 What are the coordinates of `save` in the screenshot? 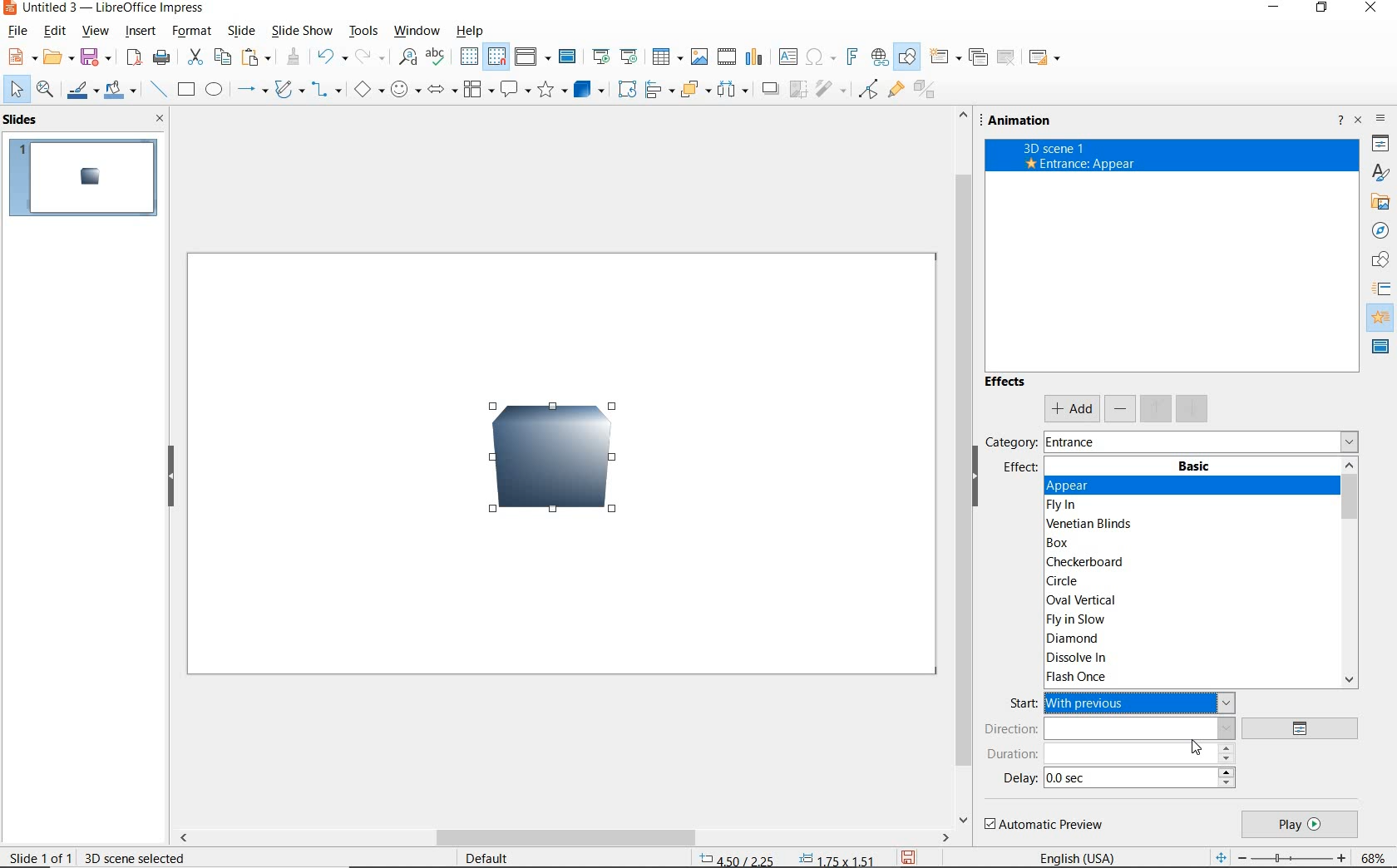 It's located at (99, 56).